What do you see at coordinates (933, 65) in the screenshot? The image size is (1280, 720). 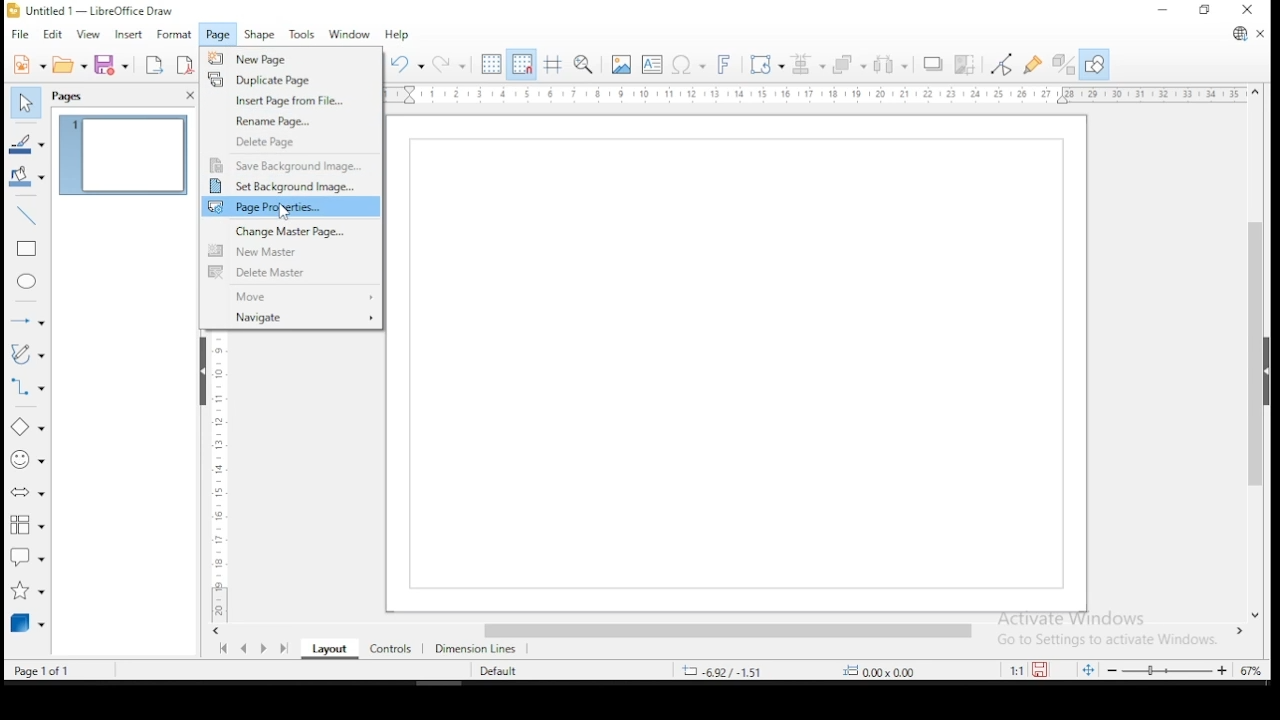 I see `shadow` at bounding box center [933, 65].